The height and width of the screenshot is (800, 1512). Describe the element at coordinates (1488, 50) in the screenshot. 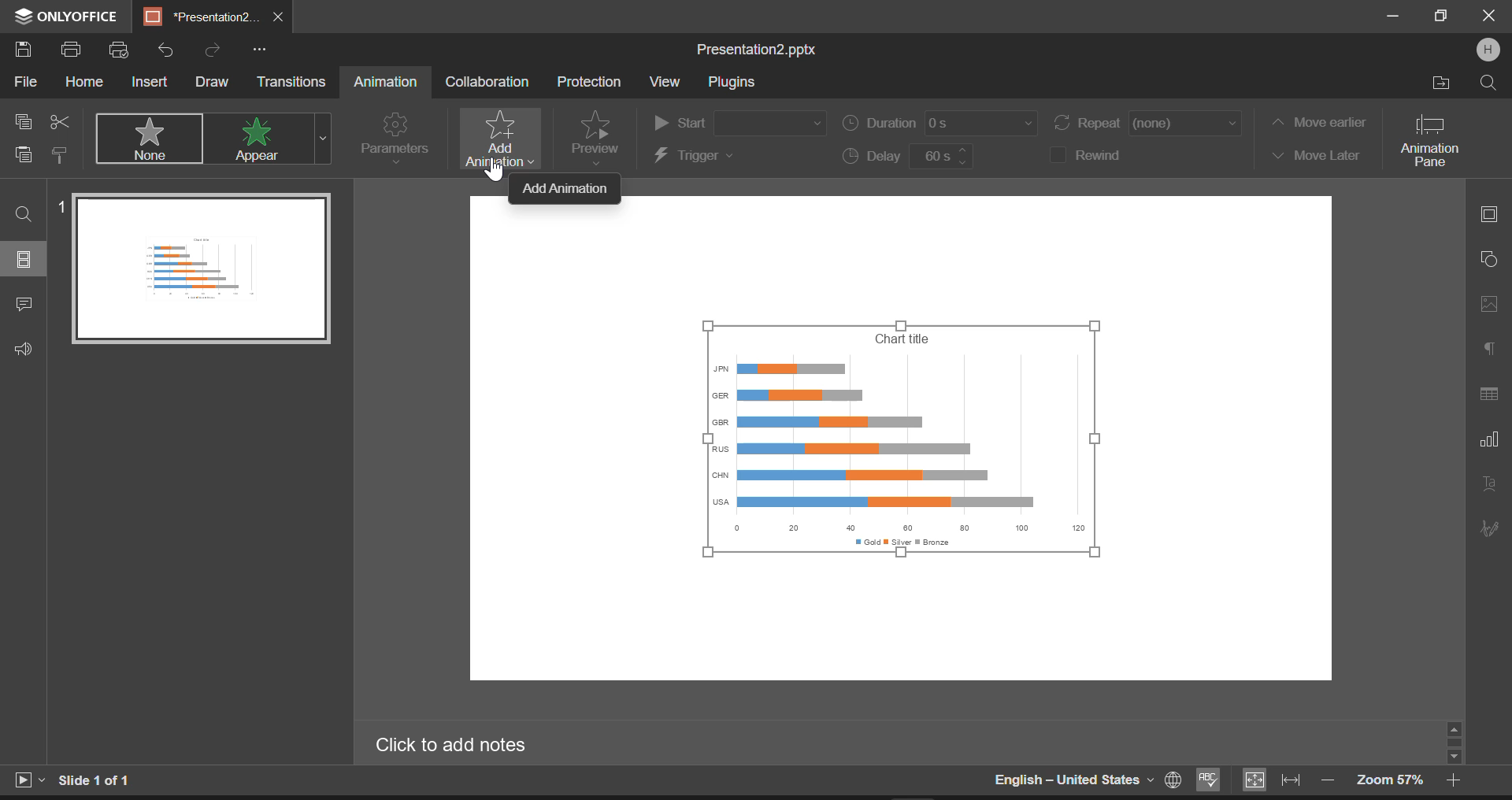

I see `User` at that location.